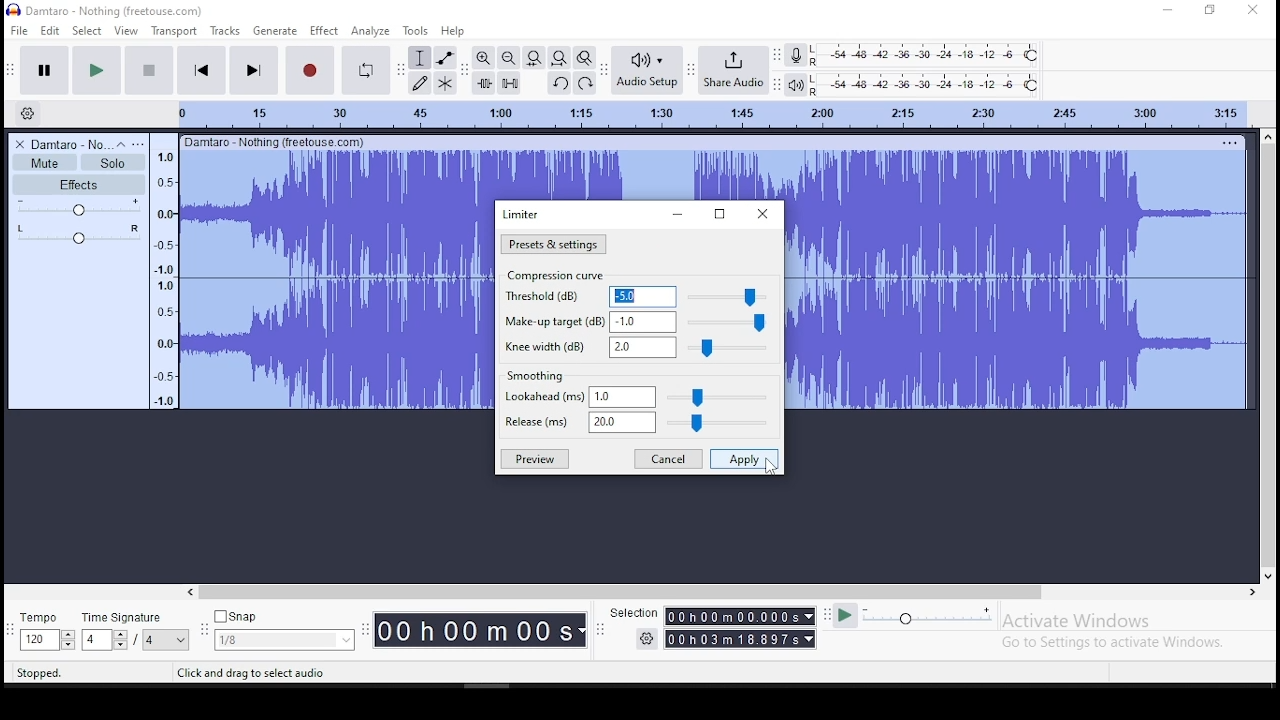  Describe the element at coordinates (1212, 9) in the screenshot. I see `restore` at that location.